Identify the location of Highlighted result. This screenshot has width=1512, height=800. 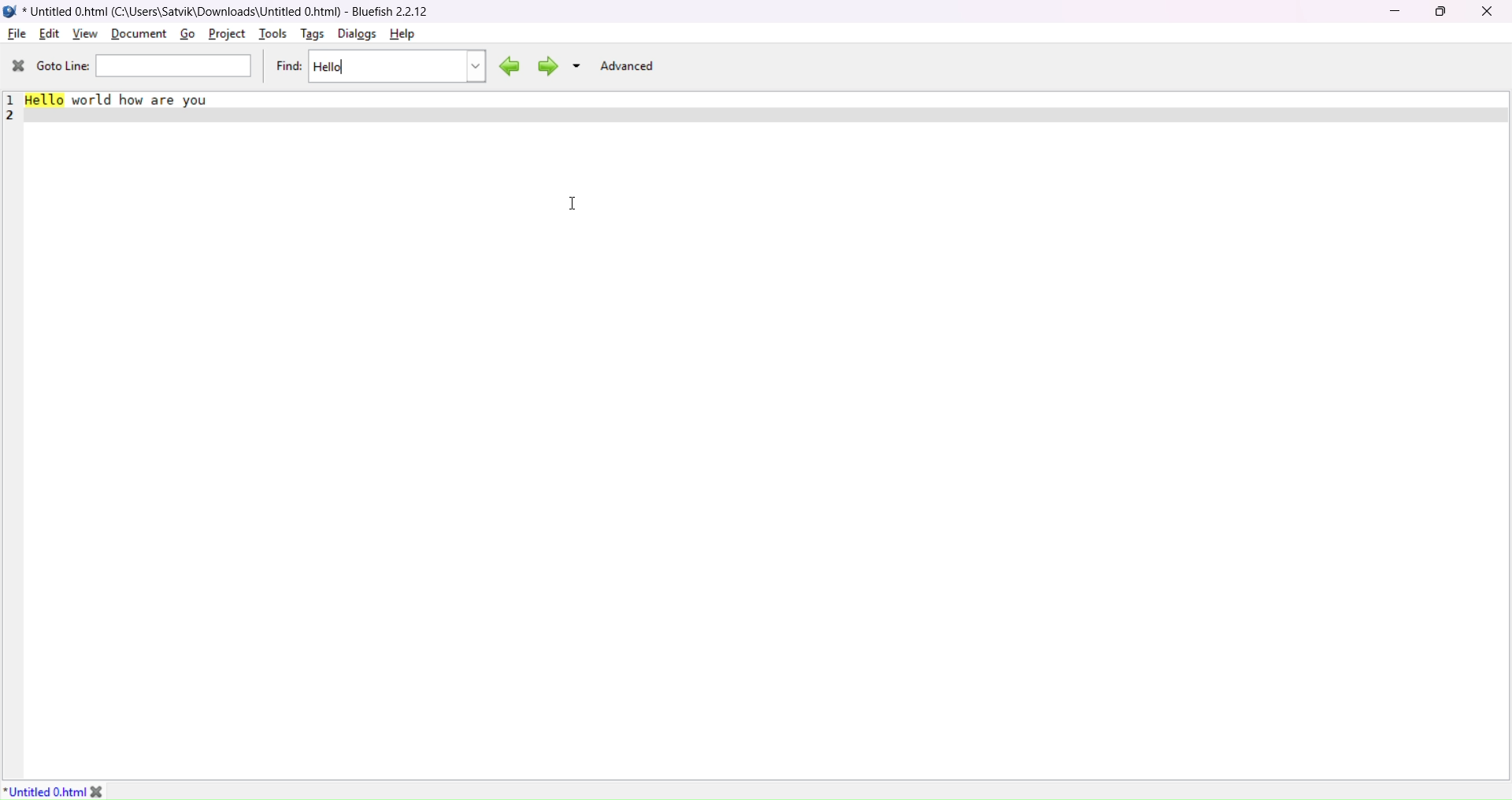
(45, 104).